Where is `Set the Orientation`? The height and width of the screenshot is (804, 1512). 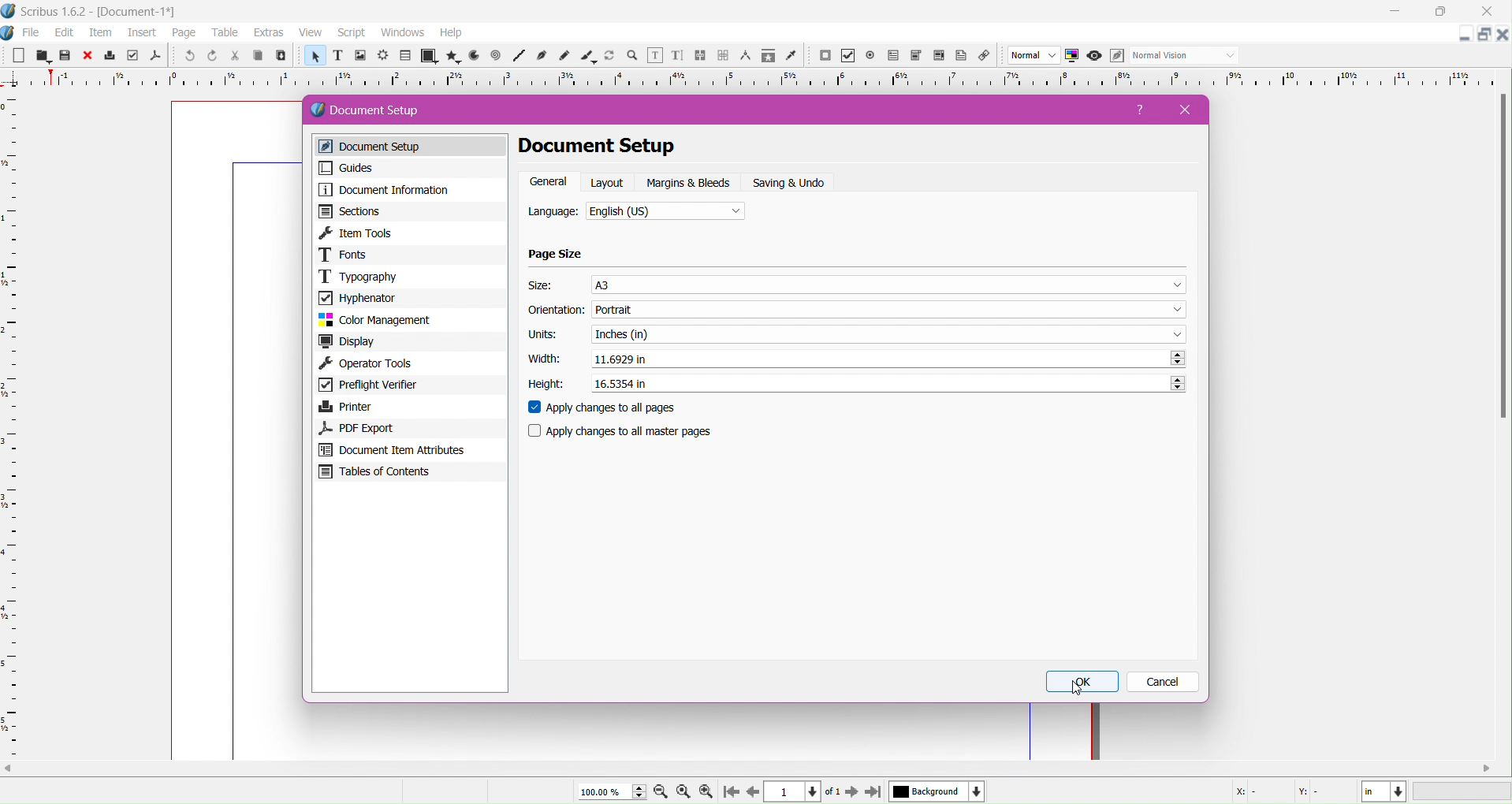 Set the Orientation is located at coordinates (892, 310).